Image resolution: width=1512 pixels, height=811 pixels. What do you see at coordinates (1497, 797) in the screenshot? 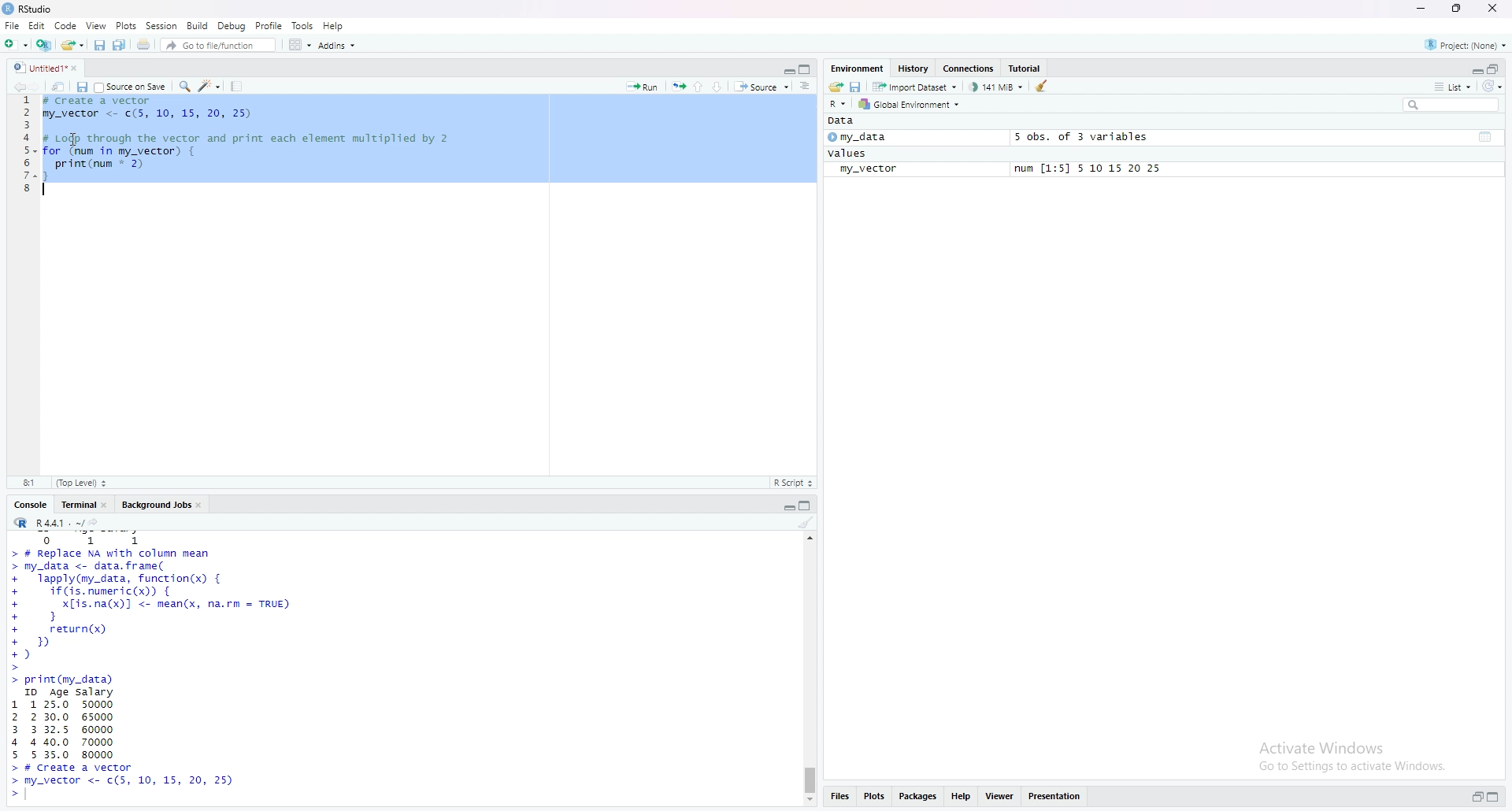
I see `collapse` at bounding box center [1497, 797].